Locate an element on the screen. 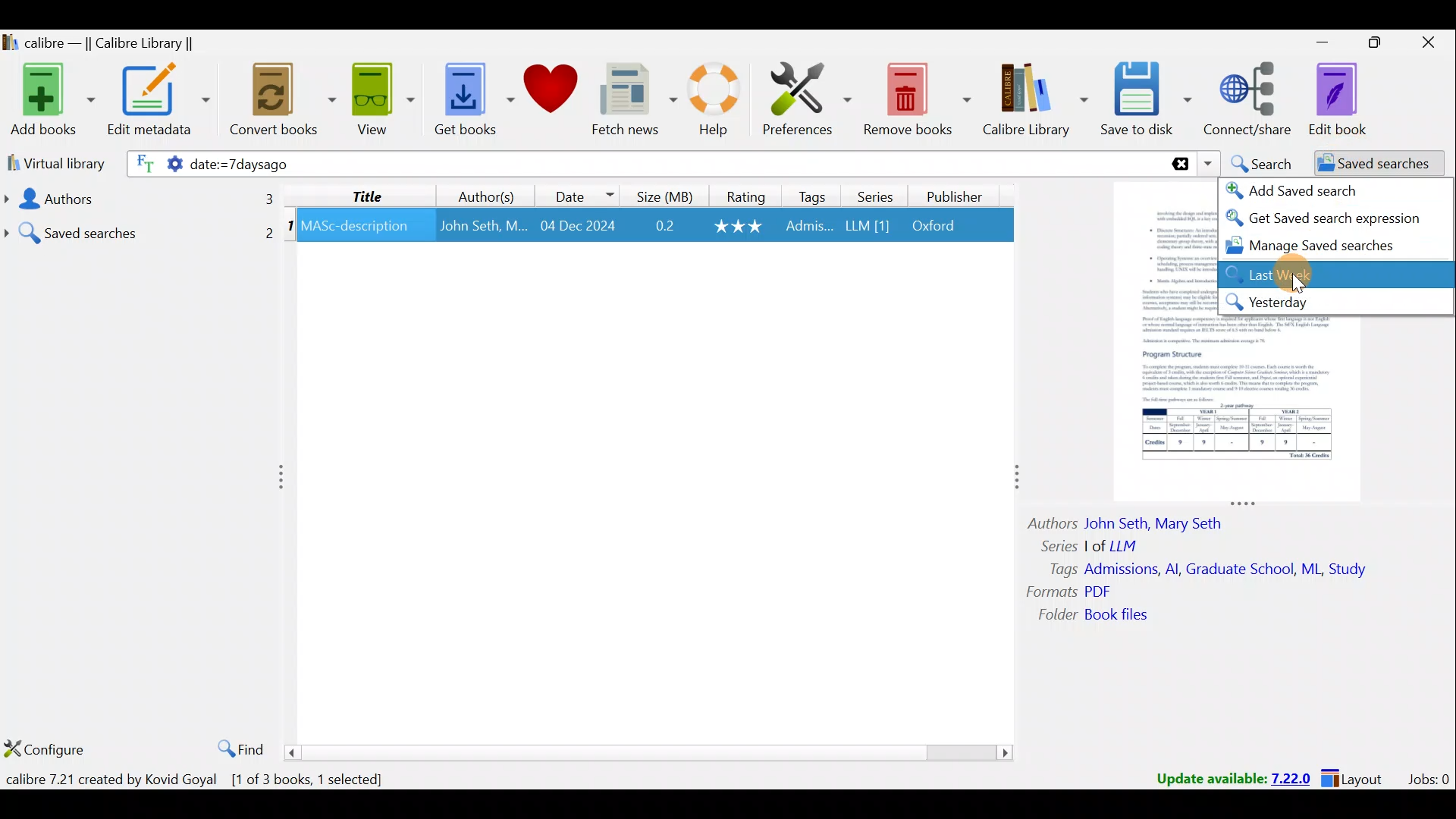 The width and height of the screenshot is (1456, 819). Title is located at coordinates (368, 195).